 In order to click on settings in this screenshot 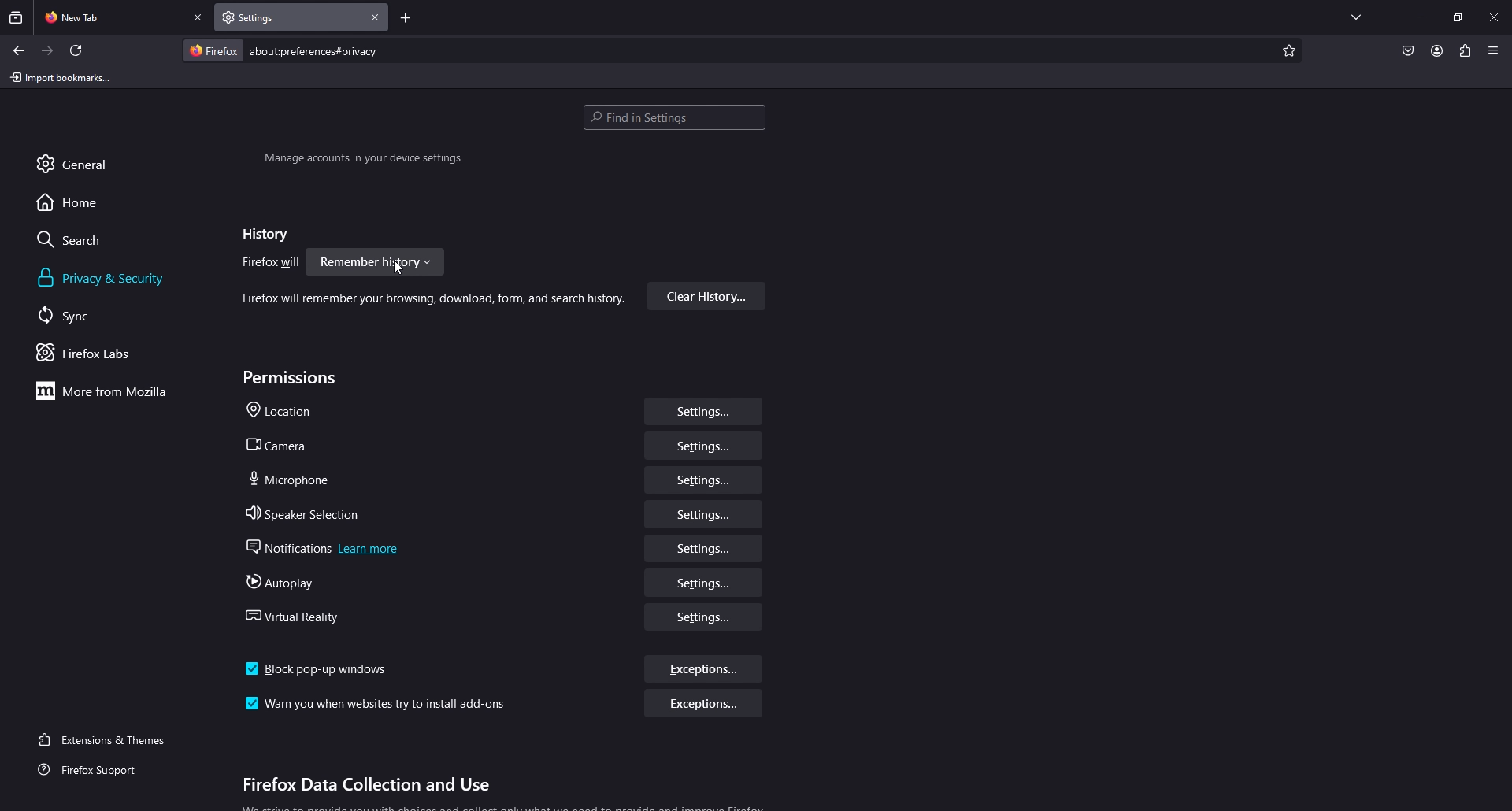, I will do `click(705, 617)`.